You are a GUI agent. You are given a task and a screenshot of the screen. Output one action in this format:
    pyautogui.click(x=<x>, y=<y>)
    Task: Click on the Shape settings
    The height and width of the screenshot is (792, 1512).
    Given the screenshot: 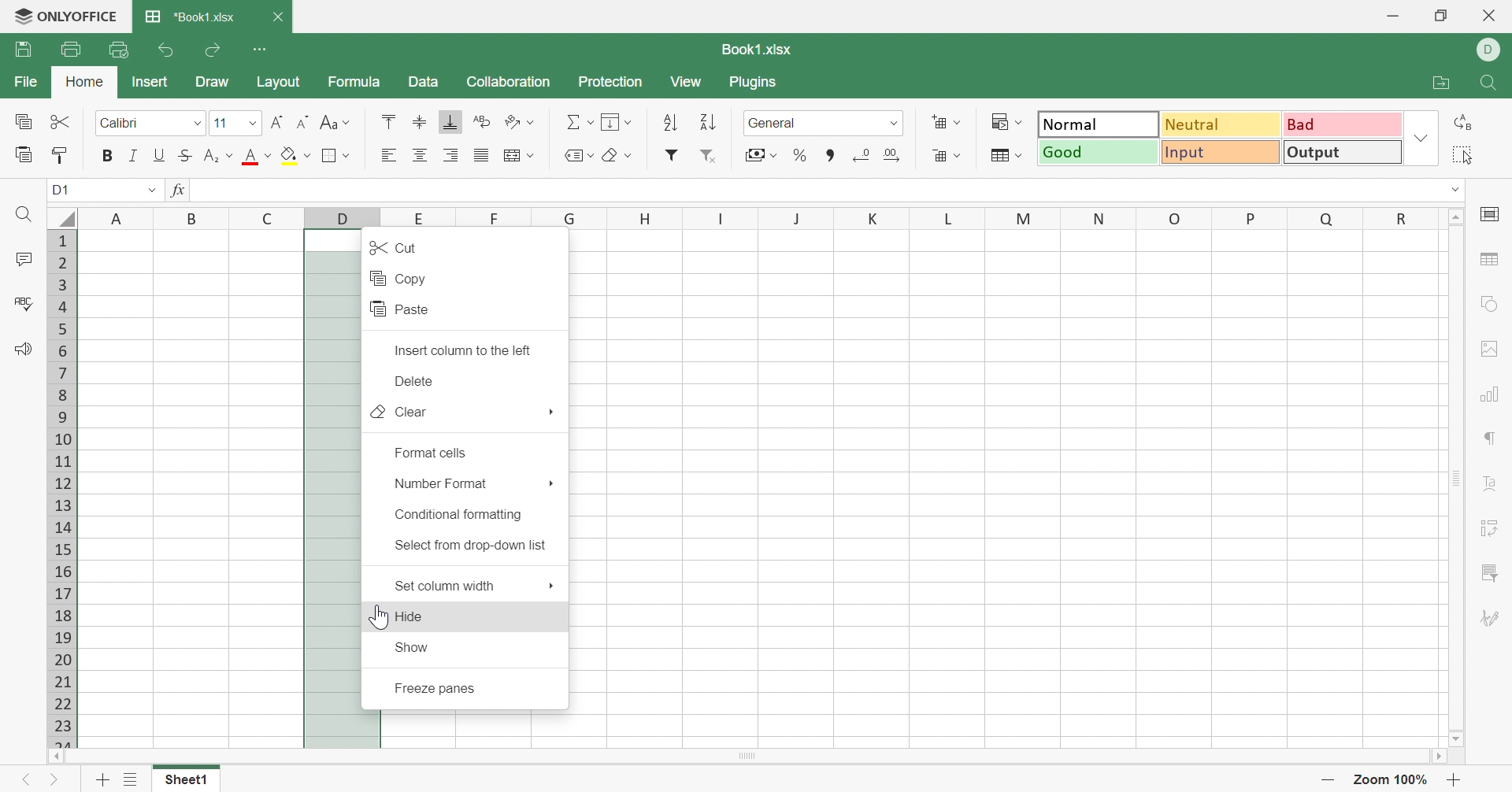 What is the action you would take?
    pyautogui.click(x=1493, y=304)
    